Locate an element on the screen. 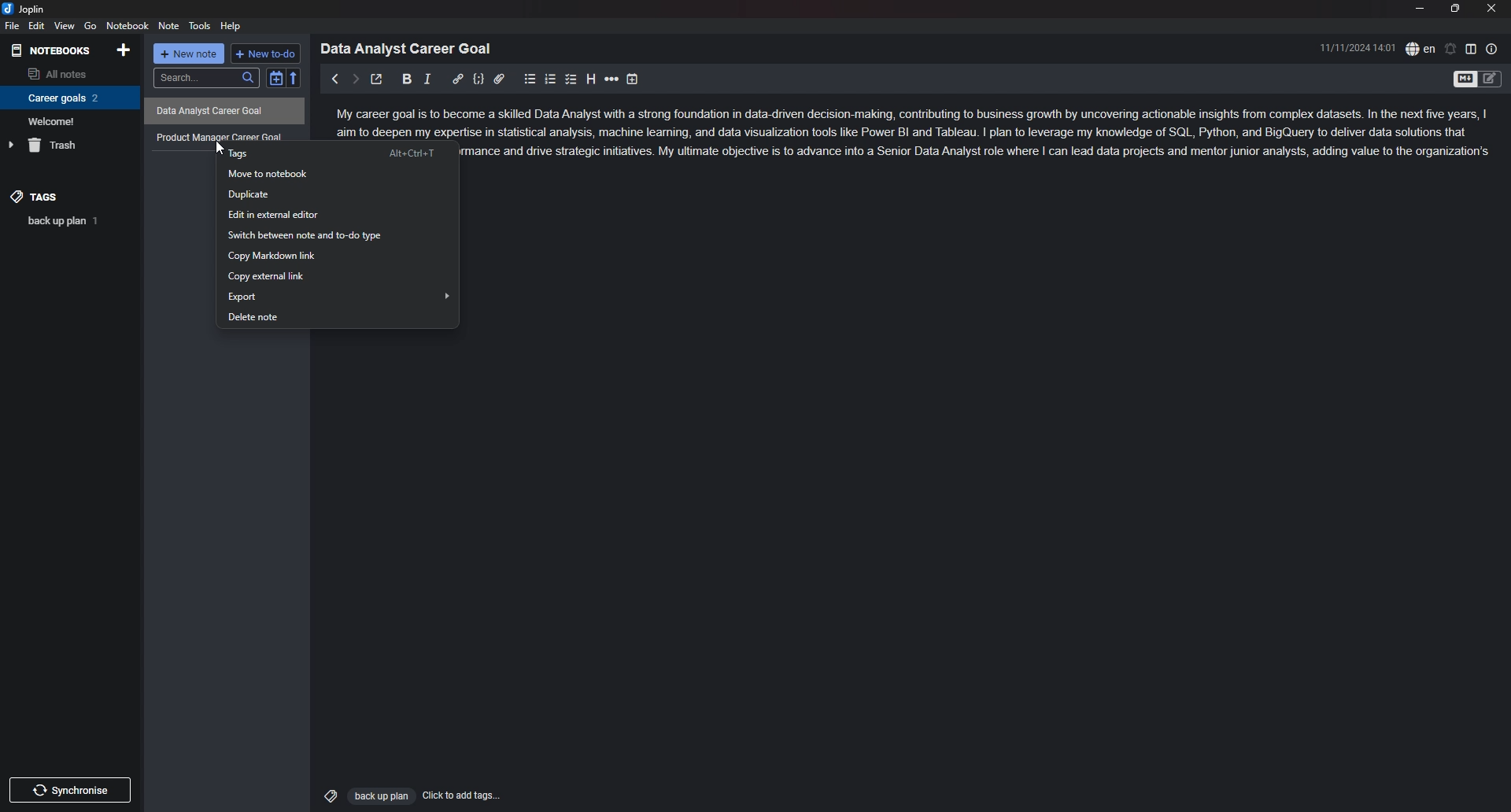 This screenshot has width=1511, height=812. checkbox is located at coordinates (571, 79).